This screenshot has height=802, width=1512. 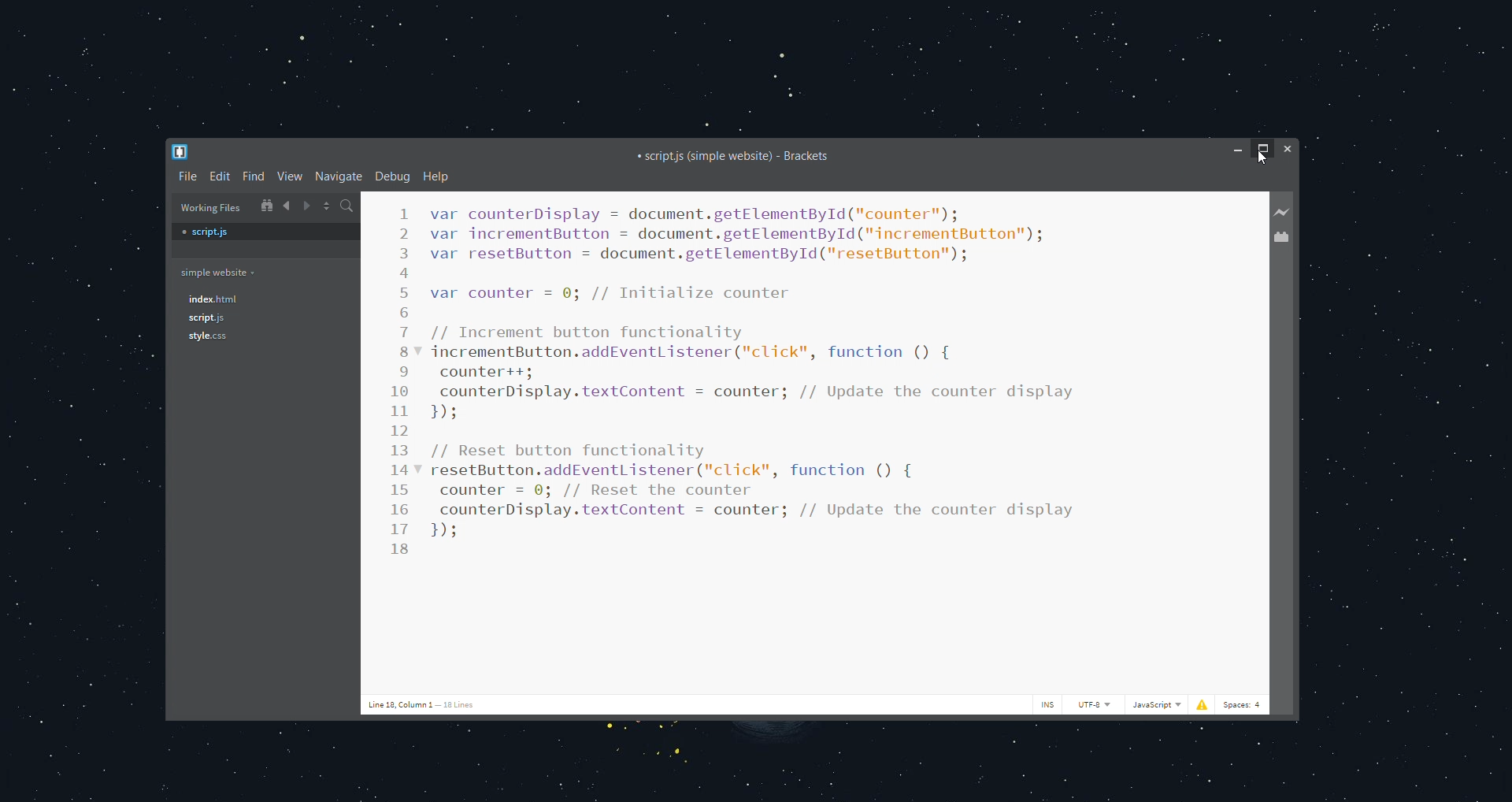 I want to click on edit, so click(x=220, y=176).